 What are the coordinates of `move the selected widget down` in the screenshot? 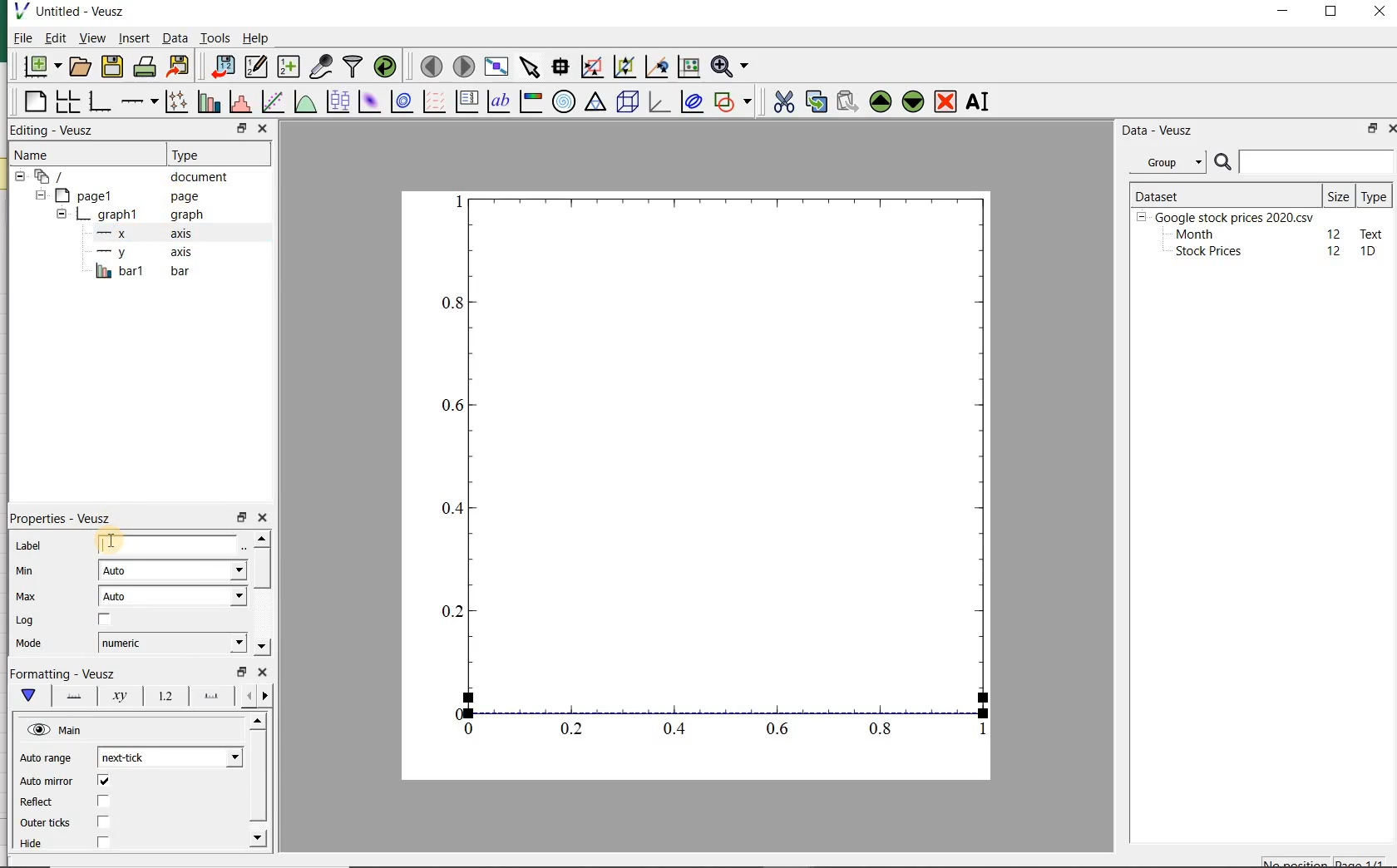 It's located at (913, 101).